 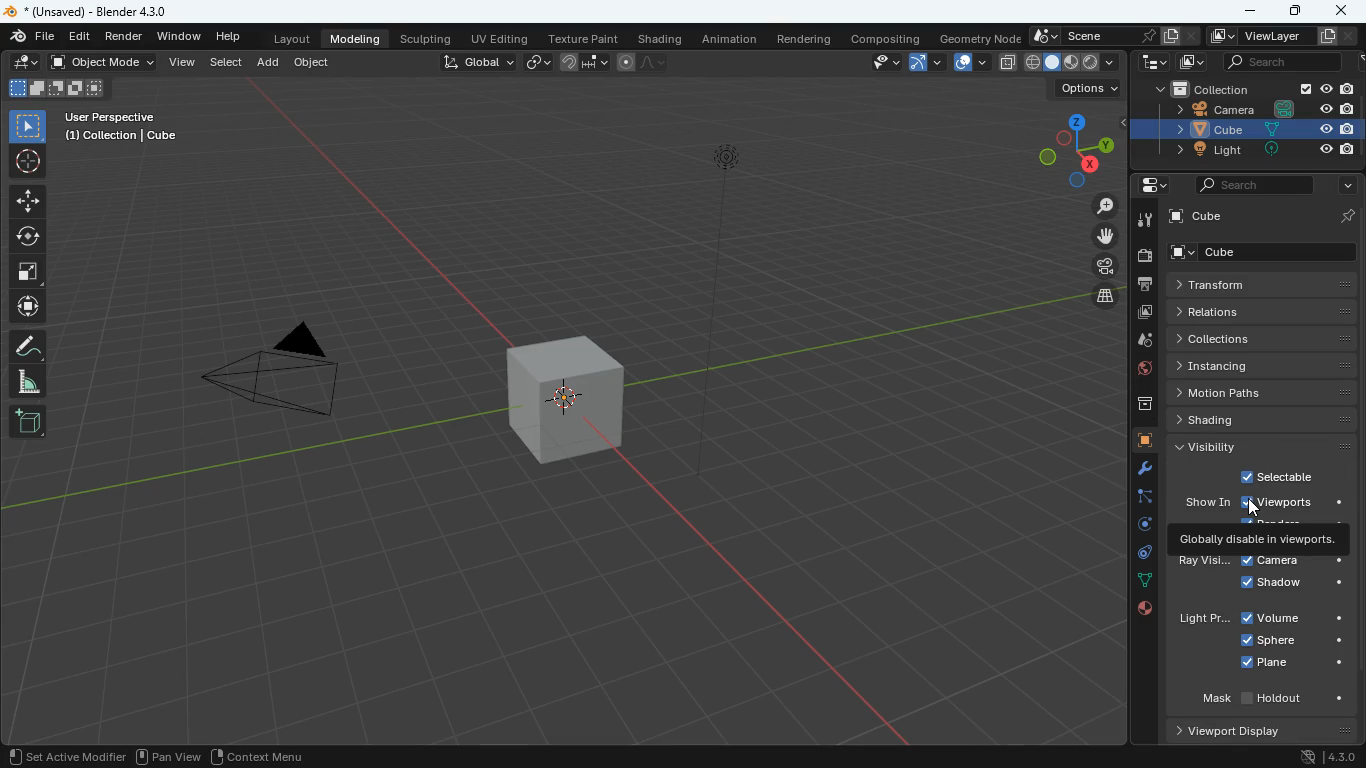 I want to click on control, so click(x=1139, y=554).